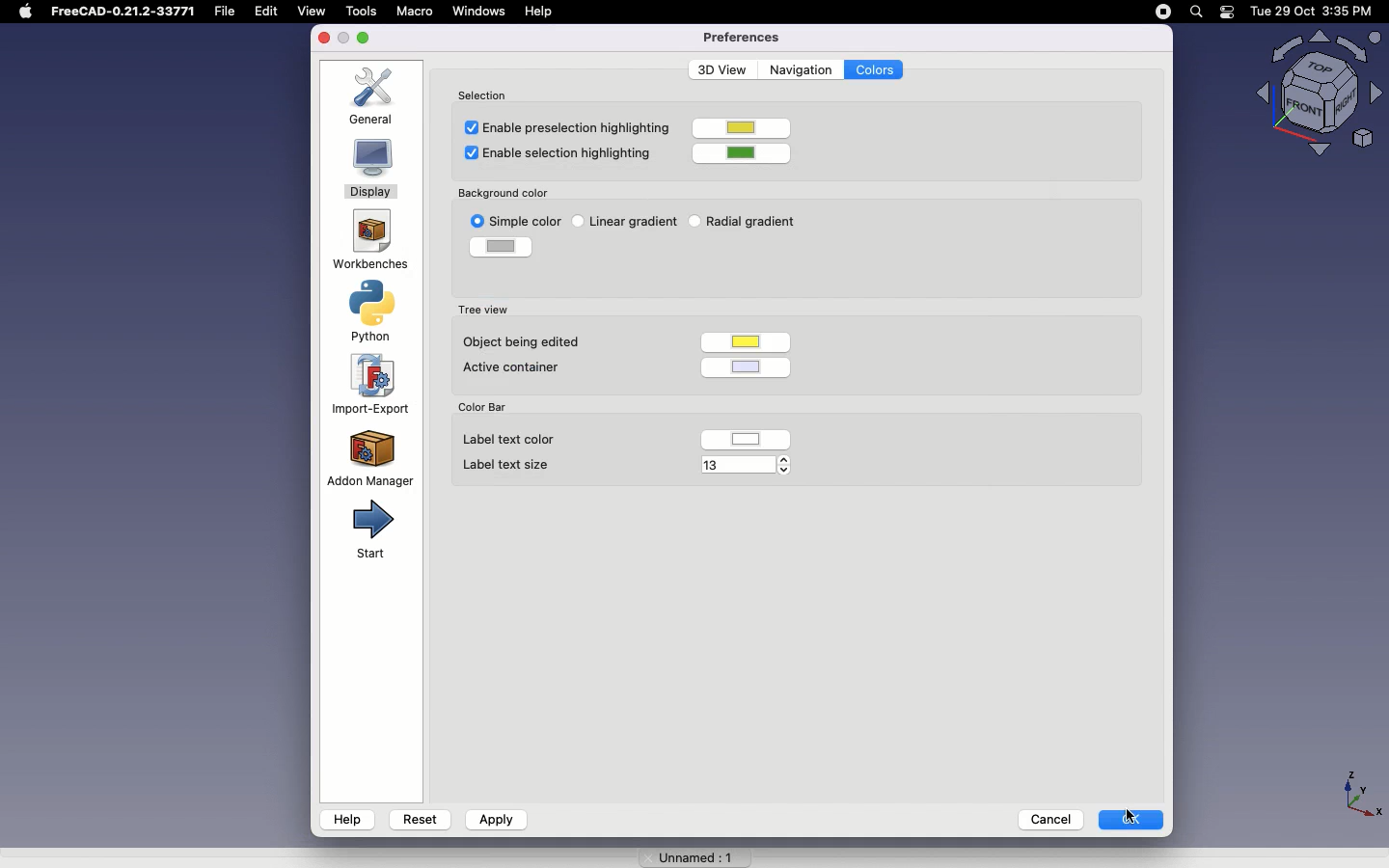 Image resolution: width=1389 pixels, height=868 pixels. What do you see at coordinates (374, 385) in the screenshot?
I see `Import-Export` at bounding box center [374, 385].